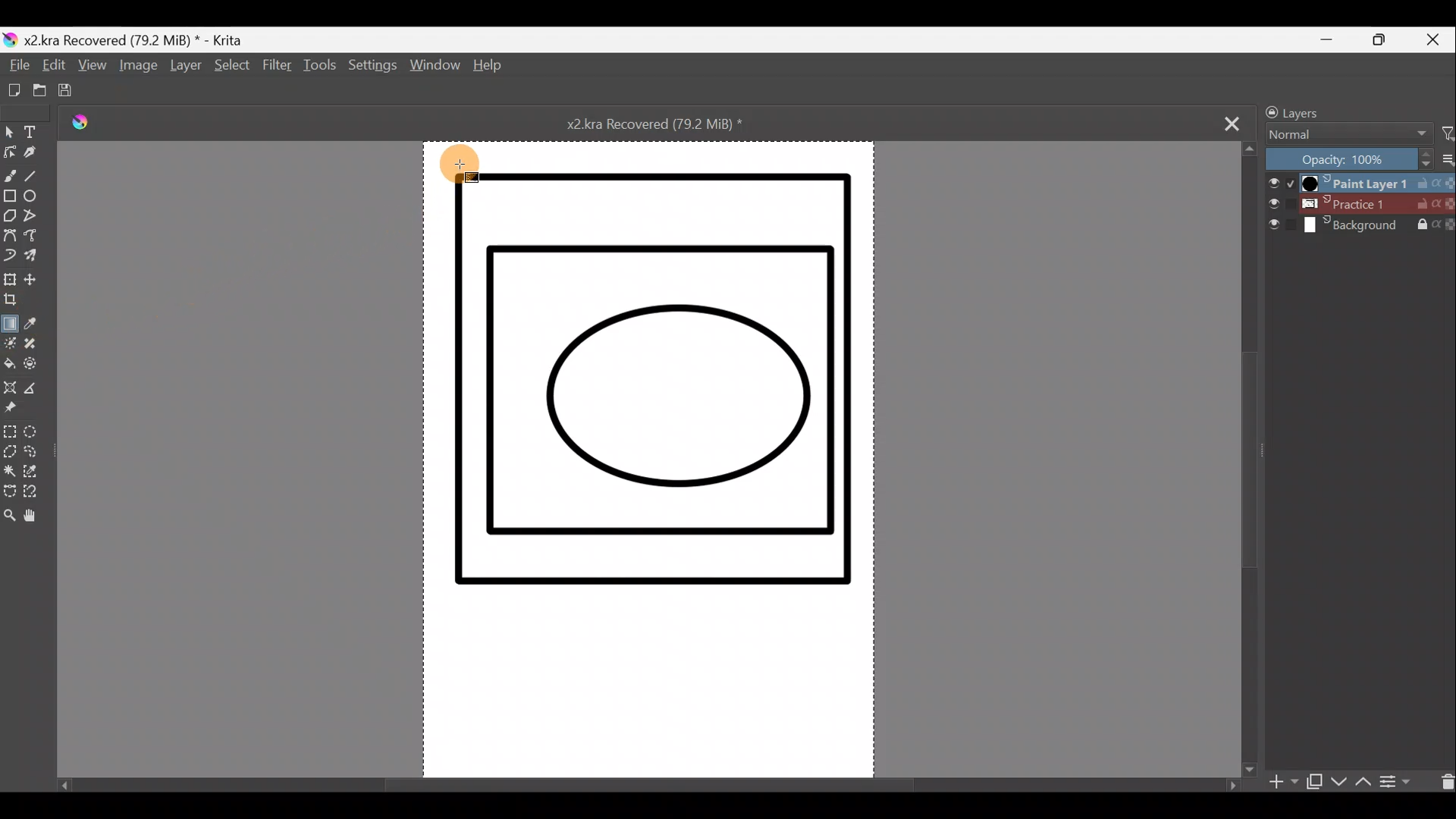 The width and height of the screenshot is (1456, 819). Describe the element at coordinates (33, 91) in the screenshot. I see `Open existing document` at that location.